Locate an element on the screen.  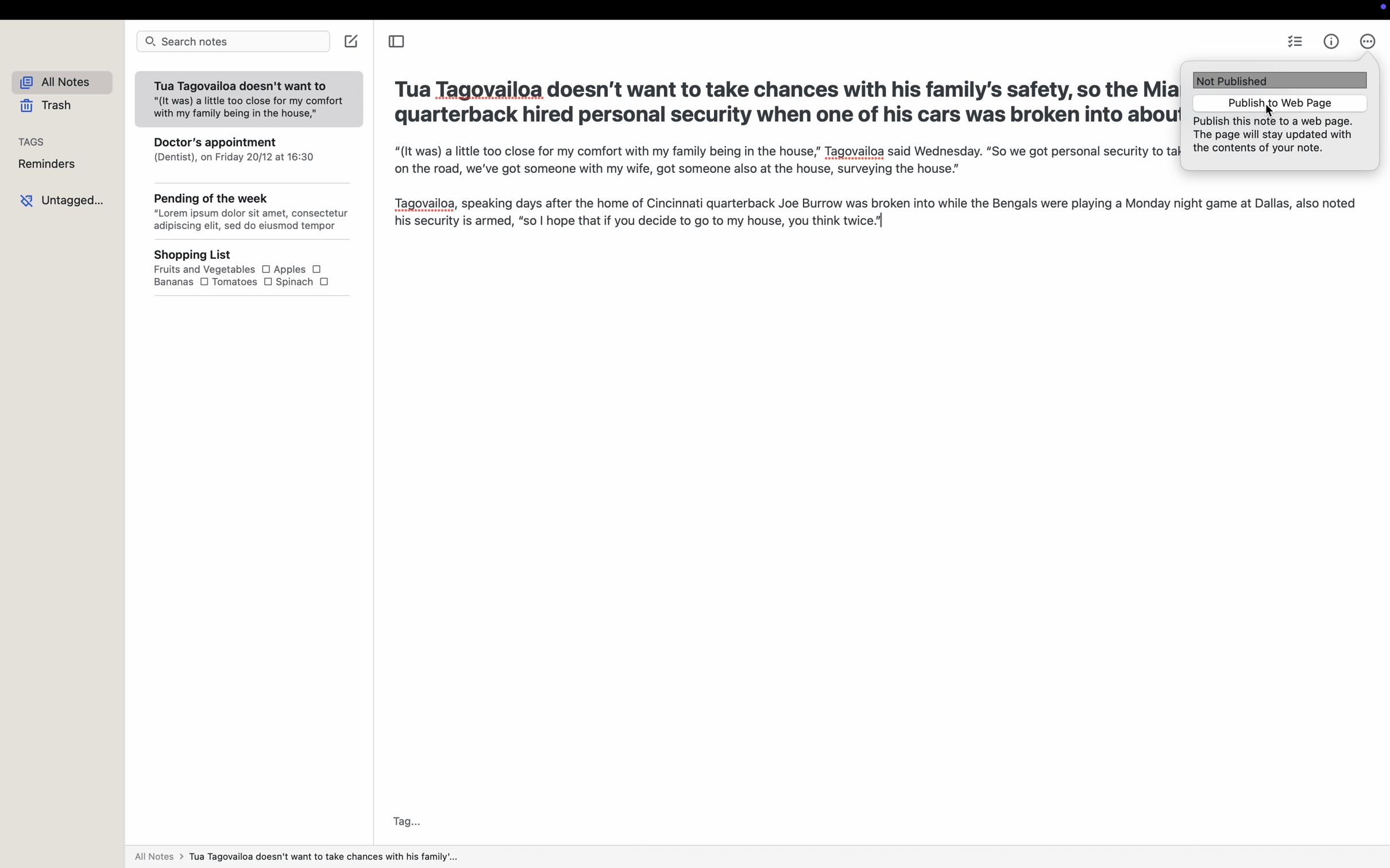
tags is located at coordinates (33, 141).